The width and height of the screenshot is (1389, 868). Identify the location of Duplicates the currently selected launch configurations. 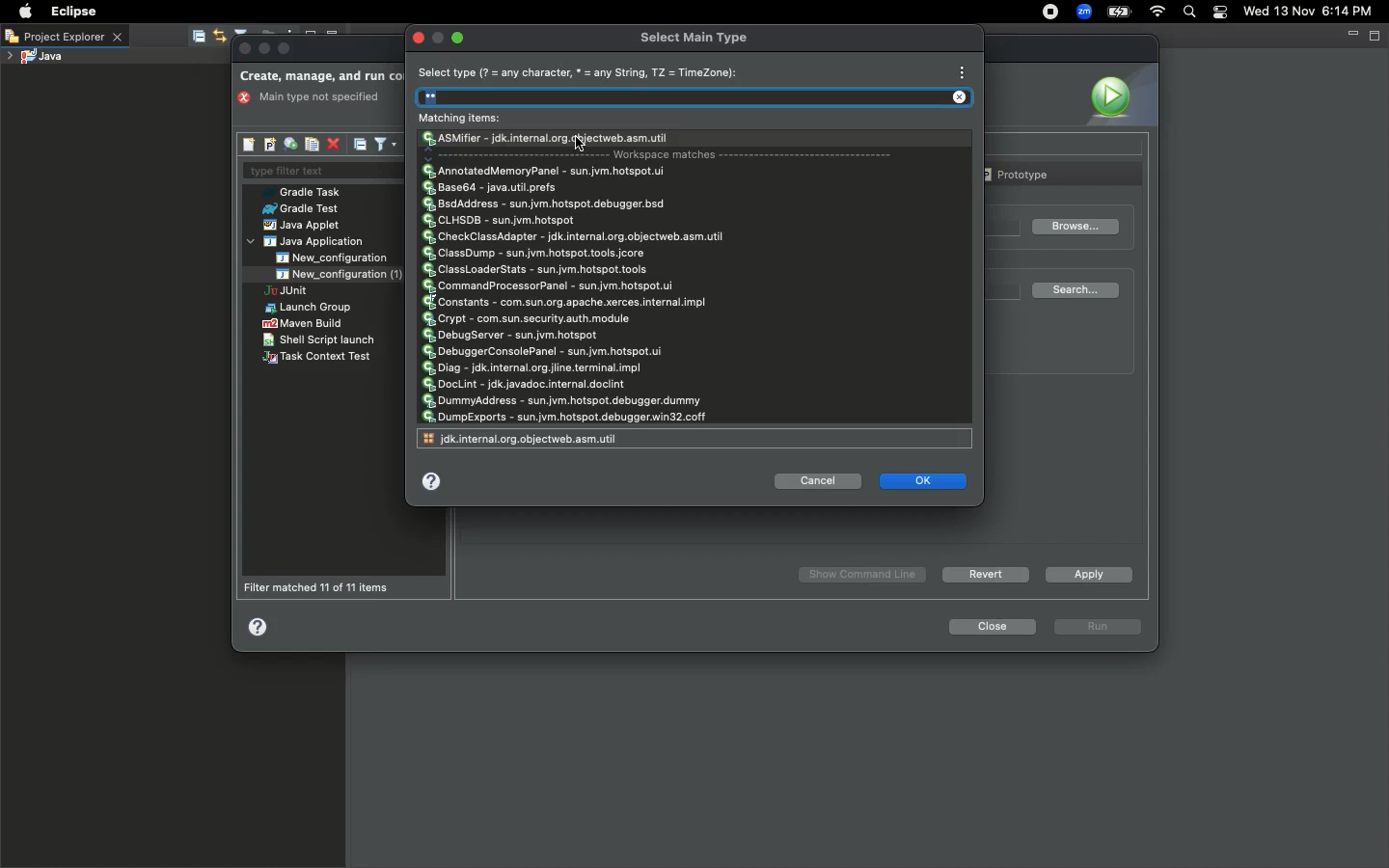
(312, 145).